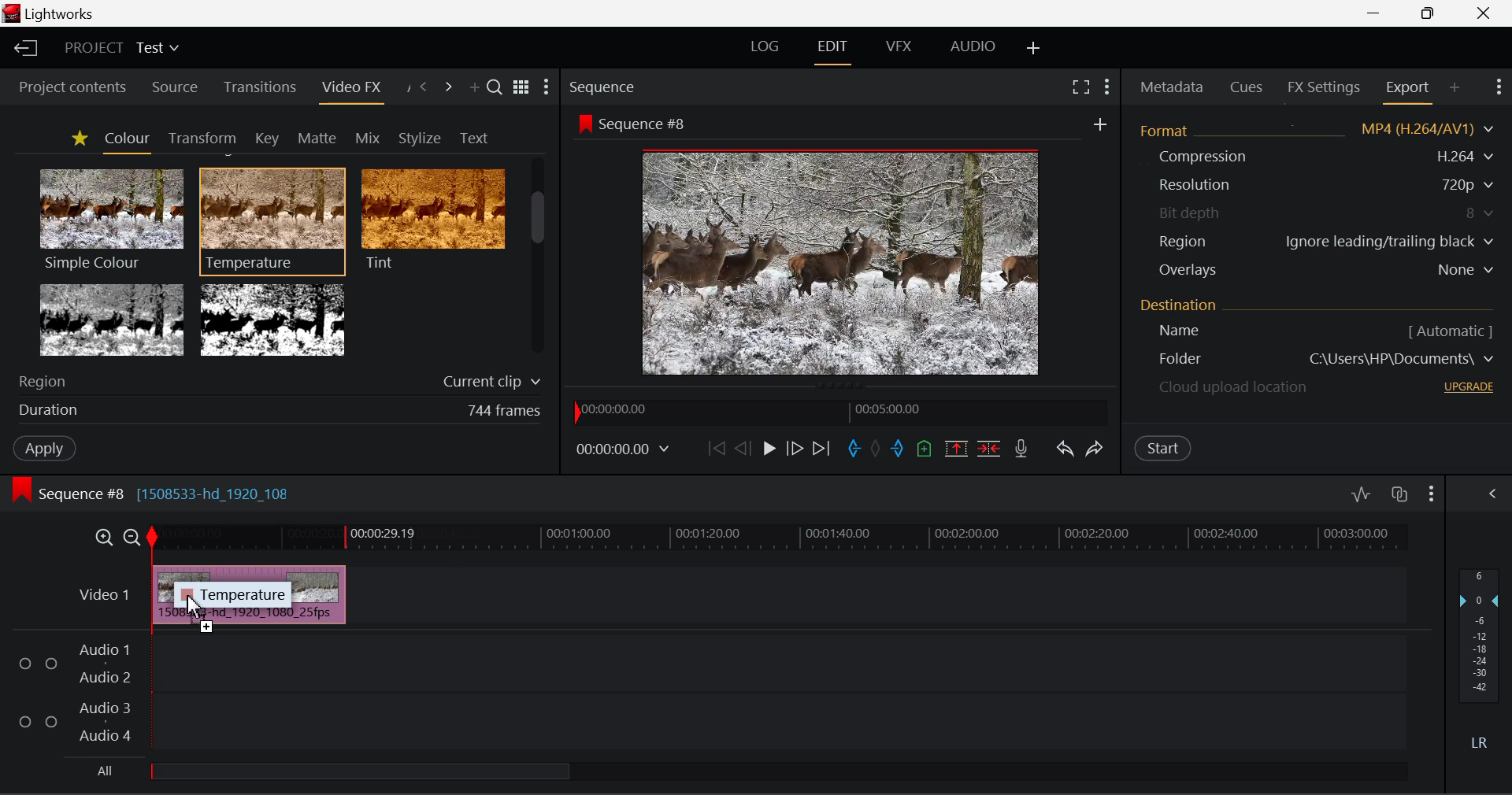 This screenshot has height=795, width=1512. Describe the element at coordinates (1432, 492) in the screenshot. I see `Show Settings` at that location.